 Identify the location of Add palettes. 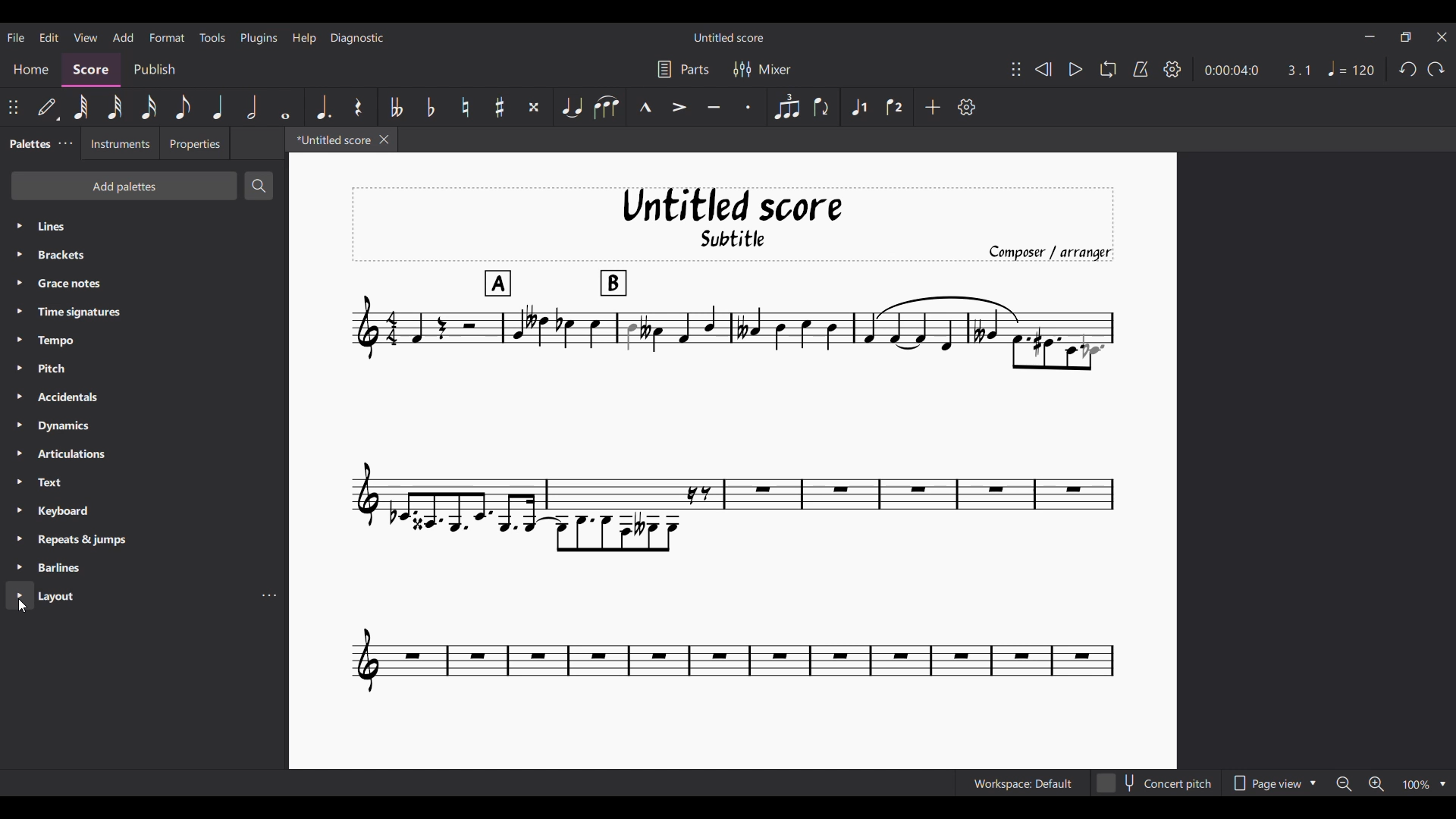
(124, 186).